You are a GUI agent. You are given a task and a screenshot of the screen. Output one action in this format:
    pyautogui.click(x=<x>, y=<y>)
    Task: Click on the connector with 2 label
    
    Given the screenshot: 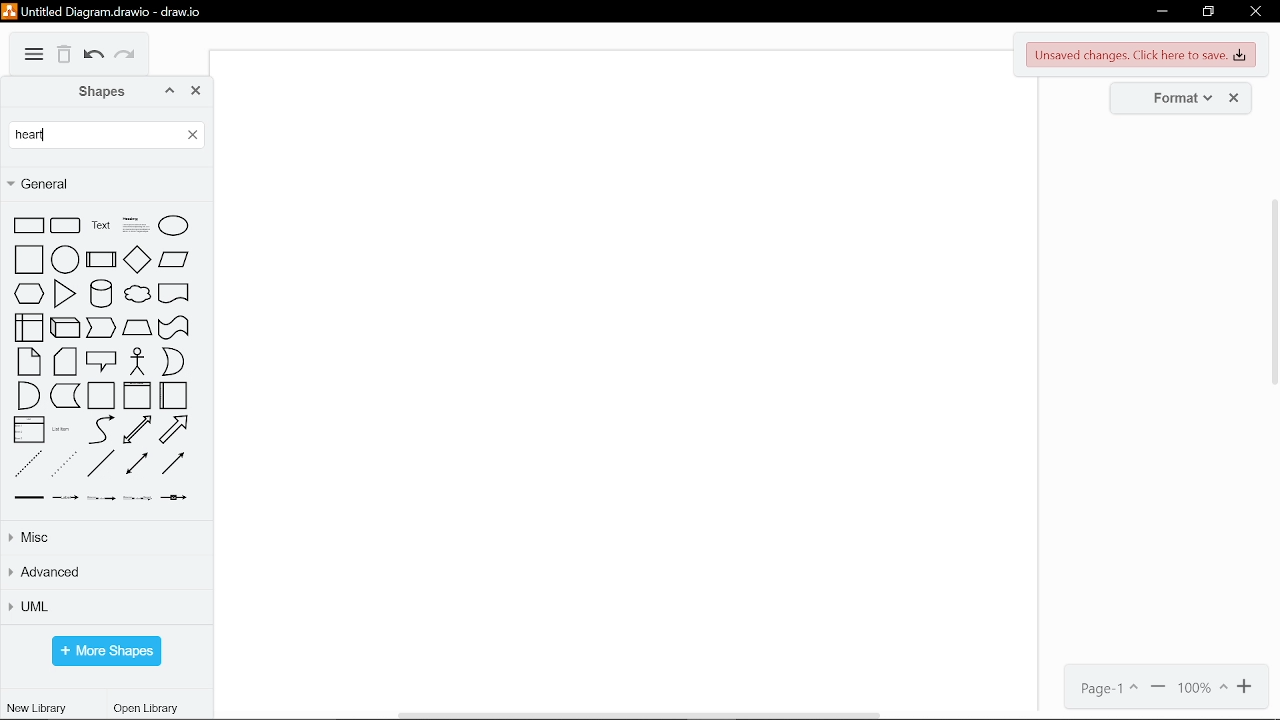 What is the action you would take?
    pyautogui.click(x=99, y=498)
    